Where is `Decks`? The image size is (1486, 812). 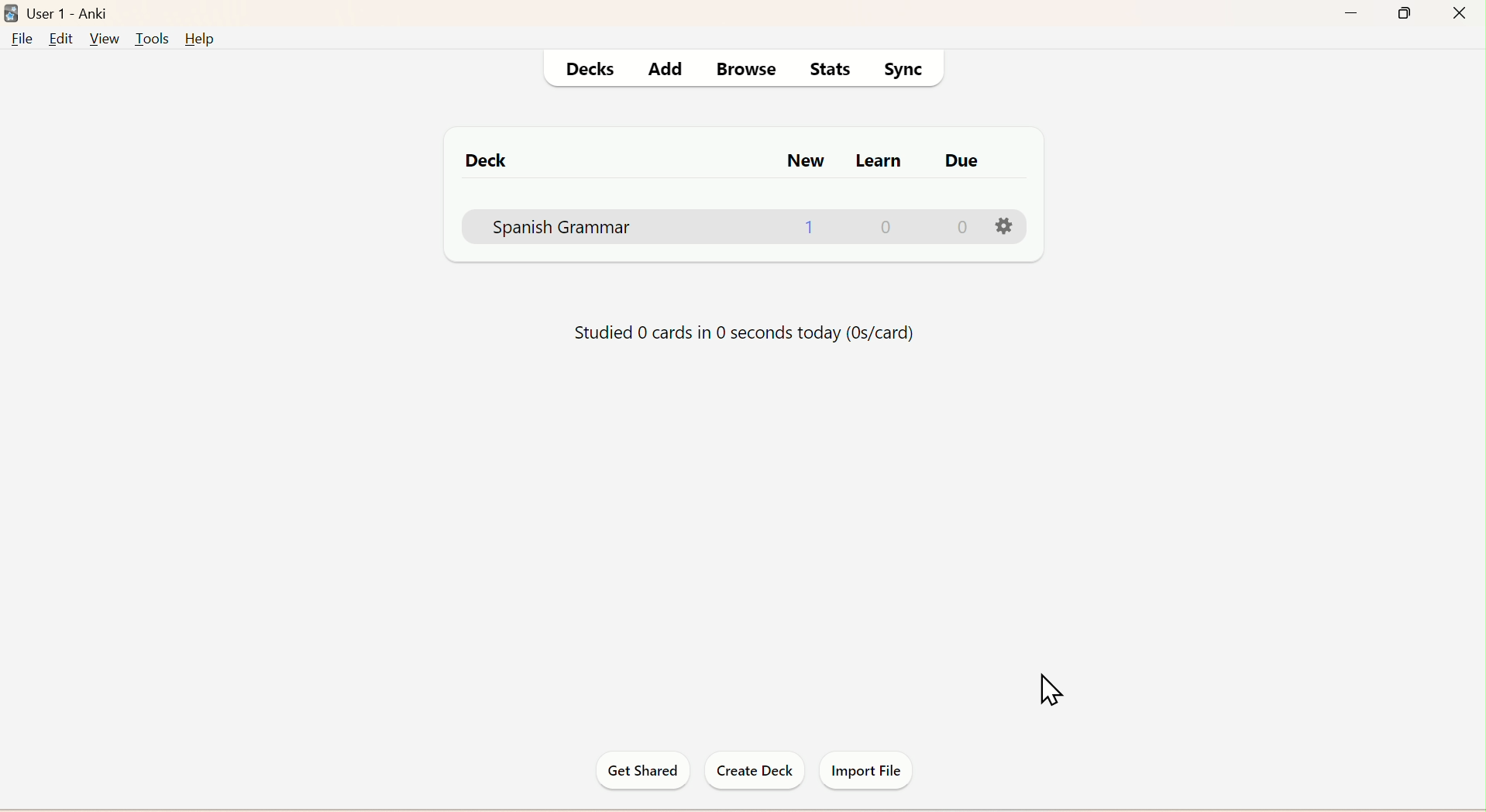
Decks is located at coordinates (590, 68).